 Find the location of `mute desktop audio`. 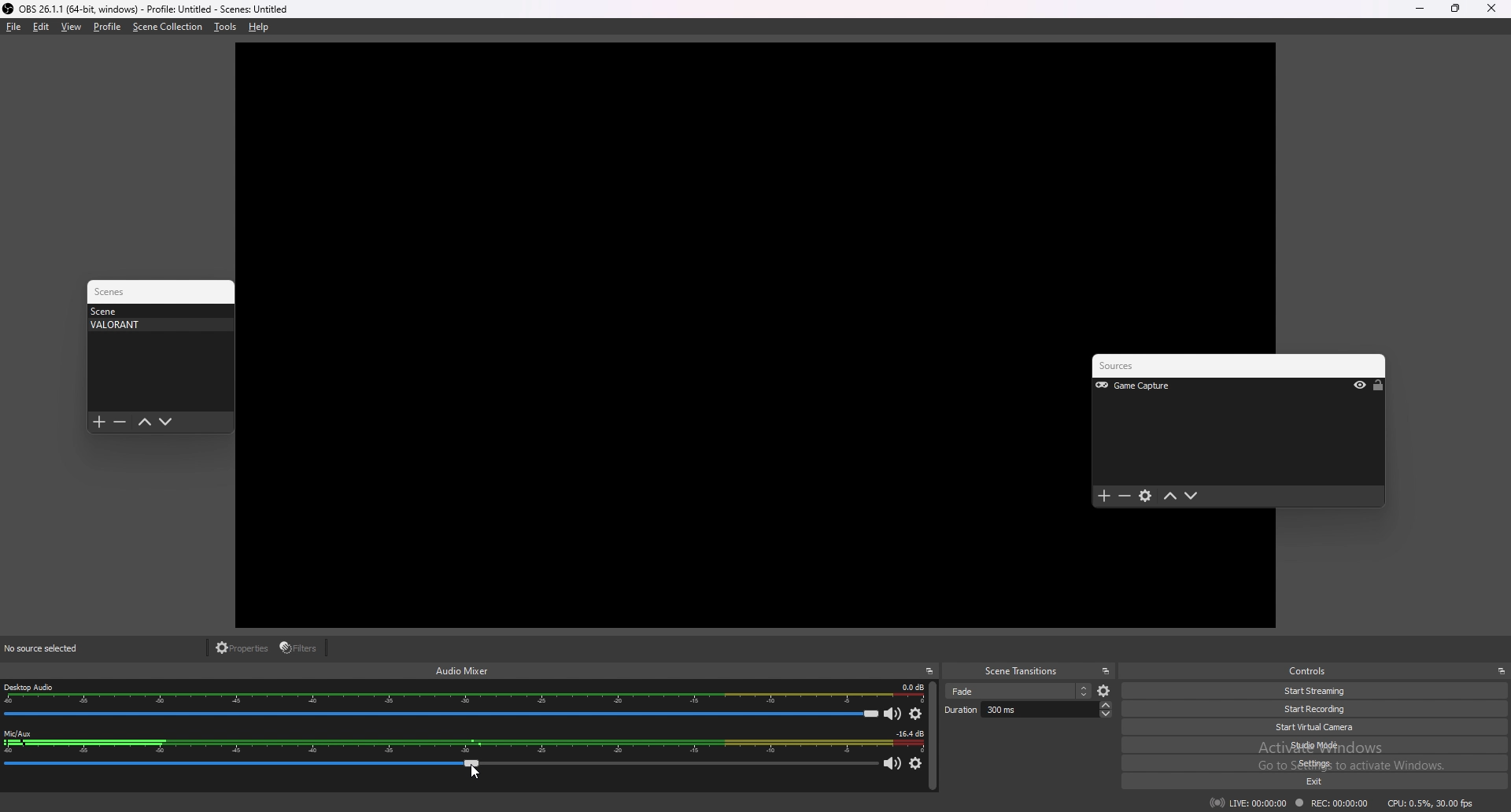

mute desktop audio is located at coordinates (893, 713).